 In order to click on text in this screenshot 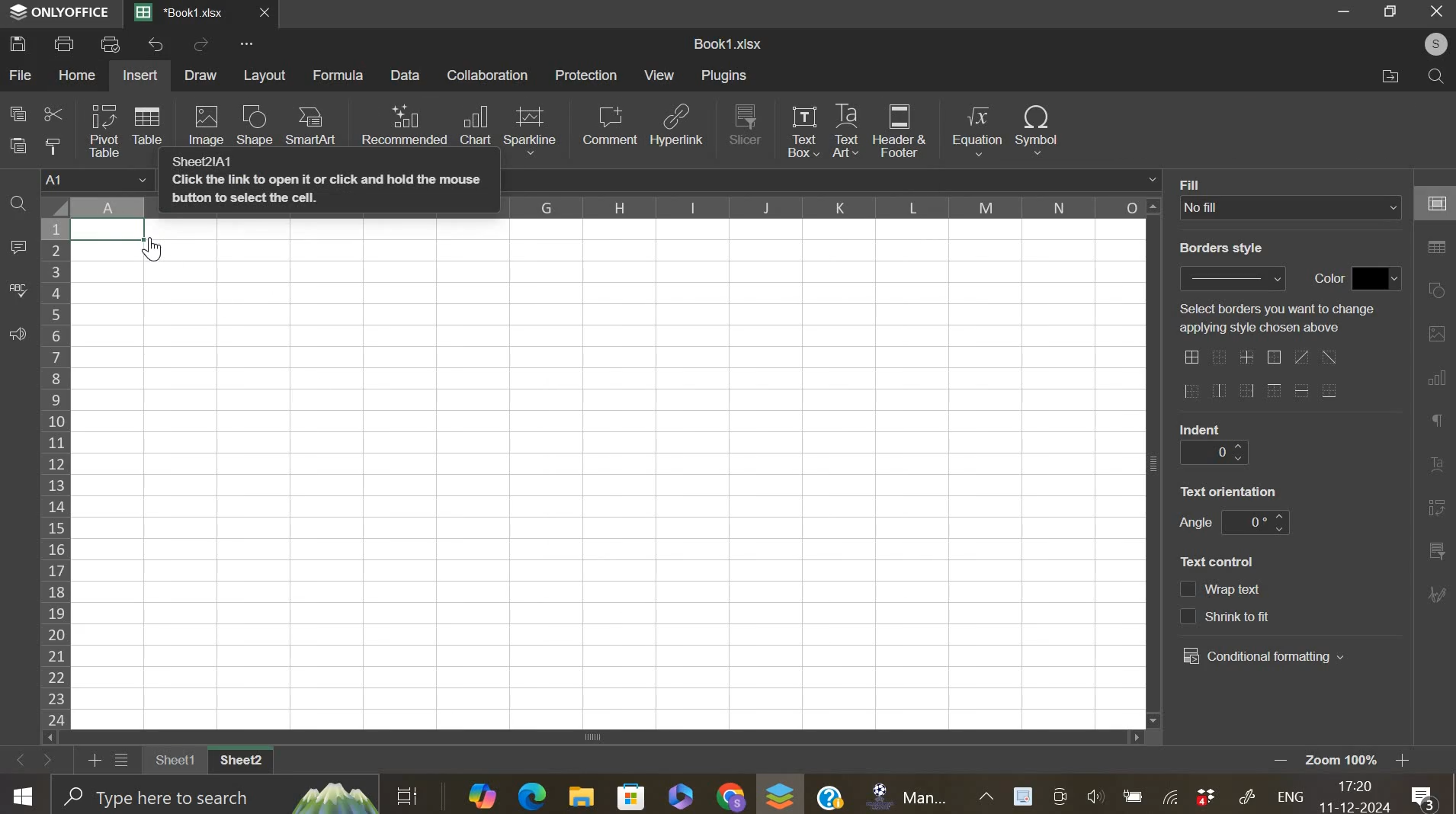, I will do `click(1229, 491)`.